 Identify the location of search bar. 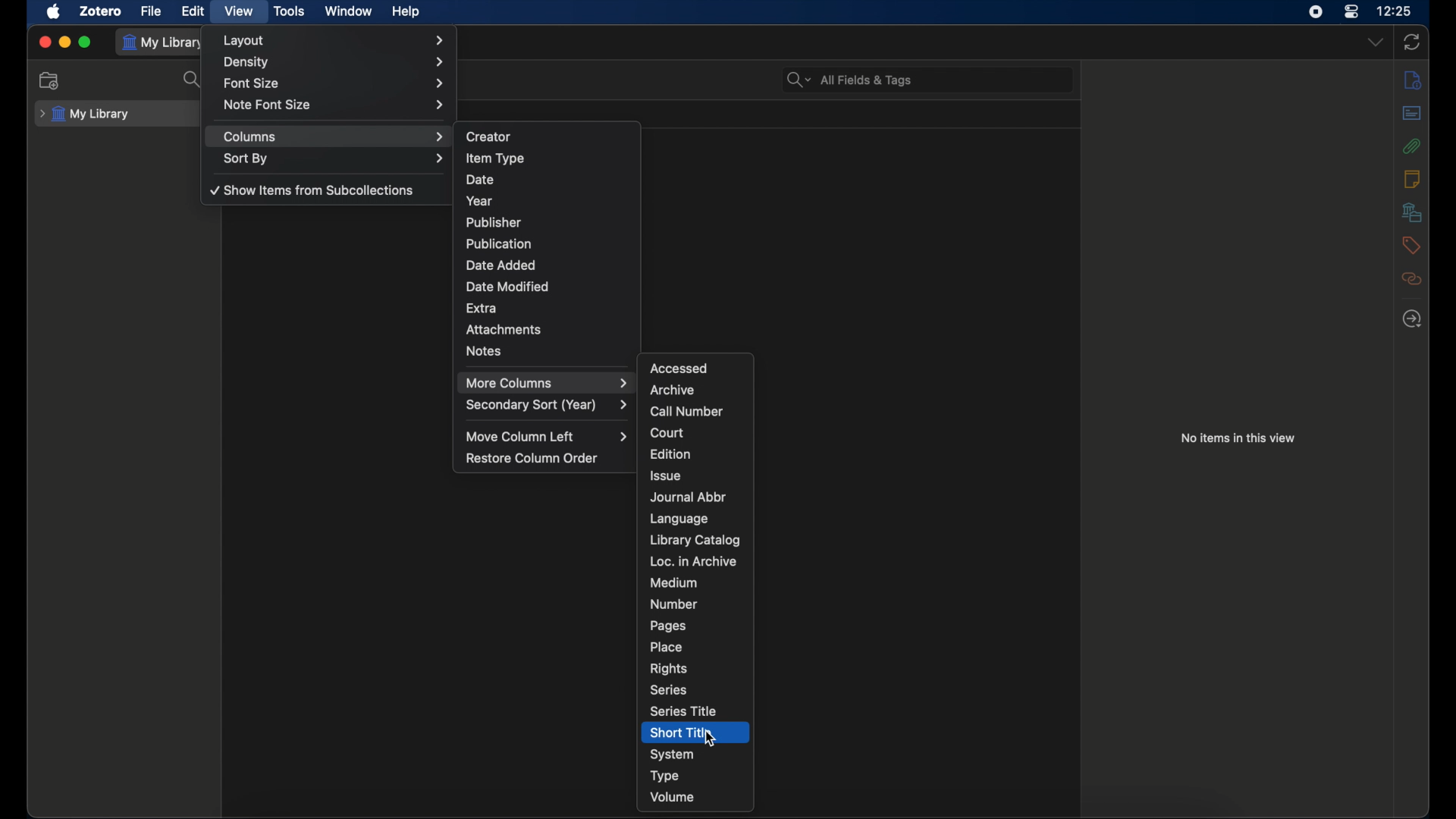
(849, 80).